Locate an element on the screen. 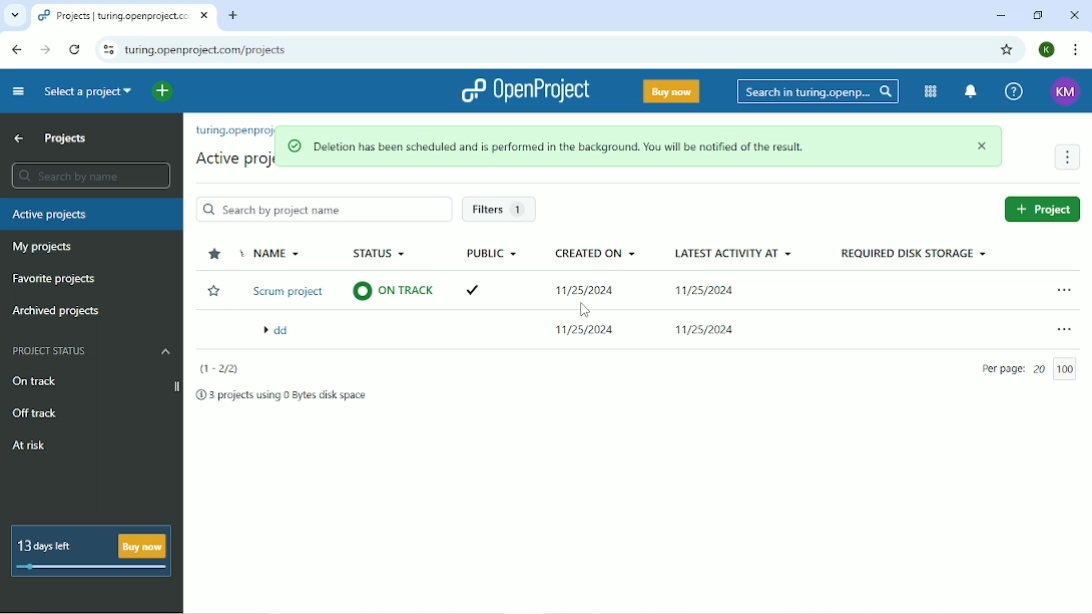 Image resolution: width=1092 pixels, height=614 pixels. Restore down is located at coordinates (1037, 16).